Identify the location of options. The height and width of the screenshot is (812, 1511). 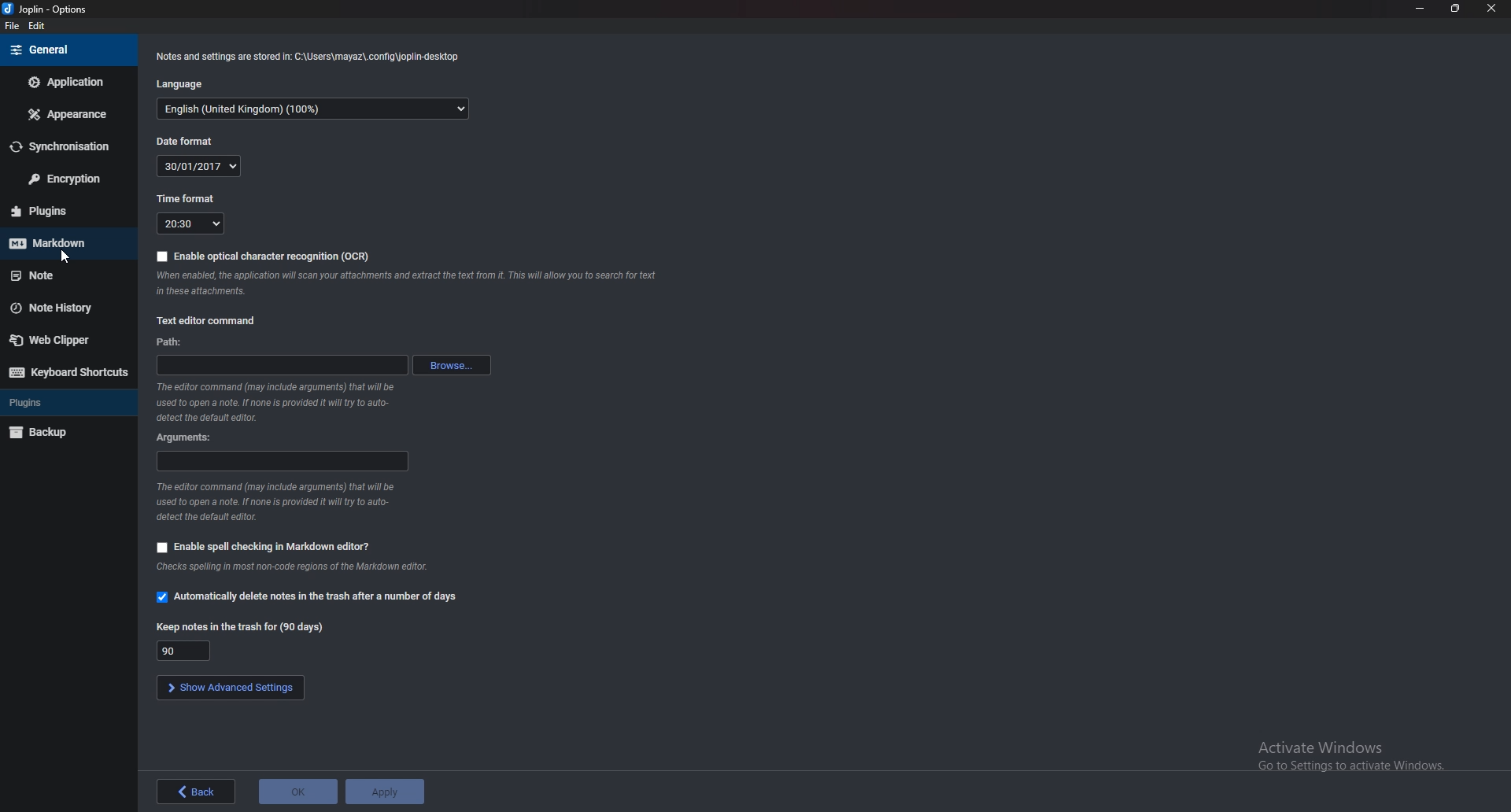
(45, 10).